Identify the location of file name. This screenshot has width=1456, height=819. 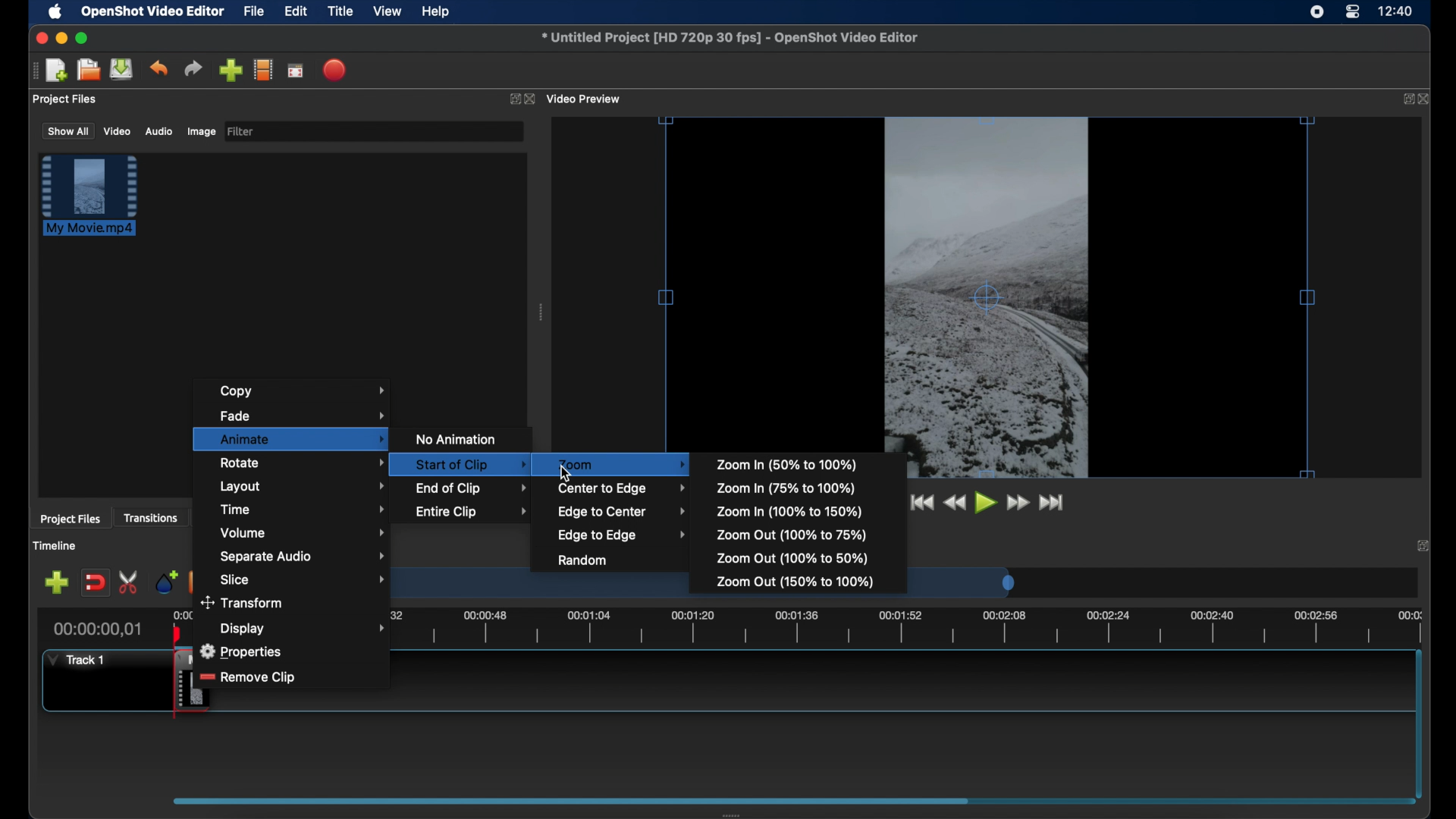
(730, 37).